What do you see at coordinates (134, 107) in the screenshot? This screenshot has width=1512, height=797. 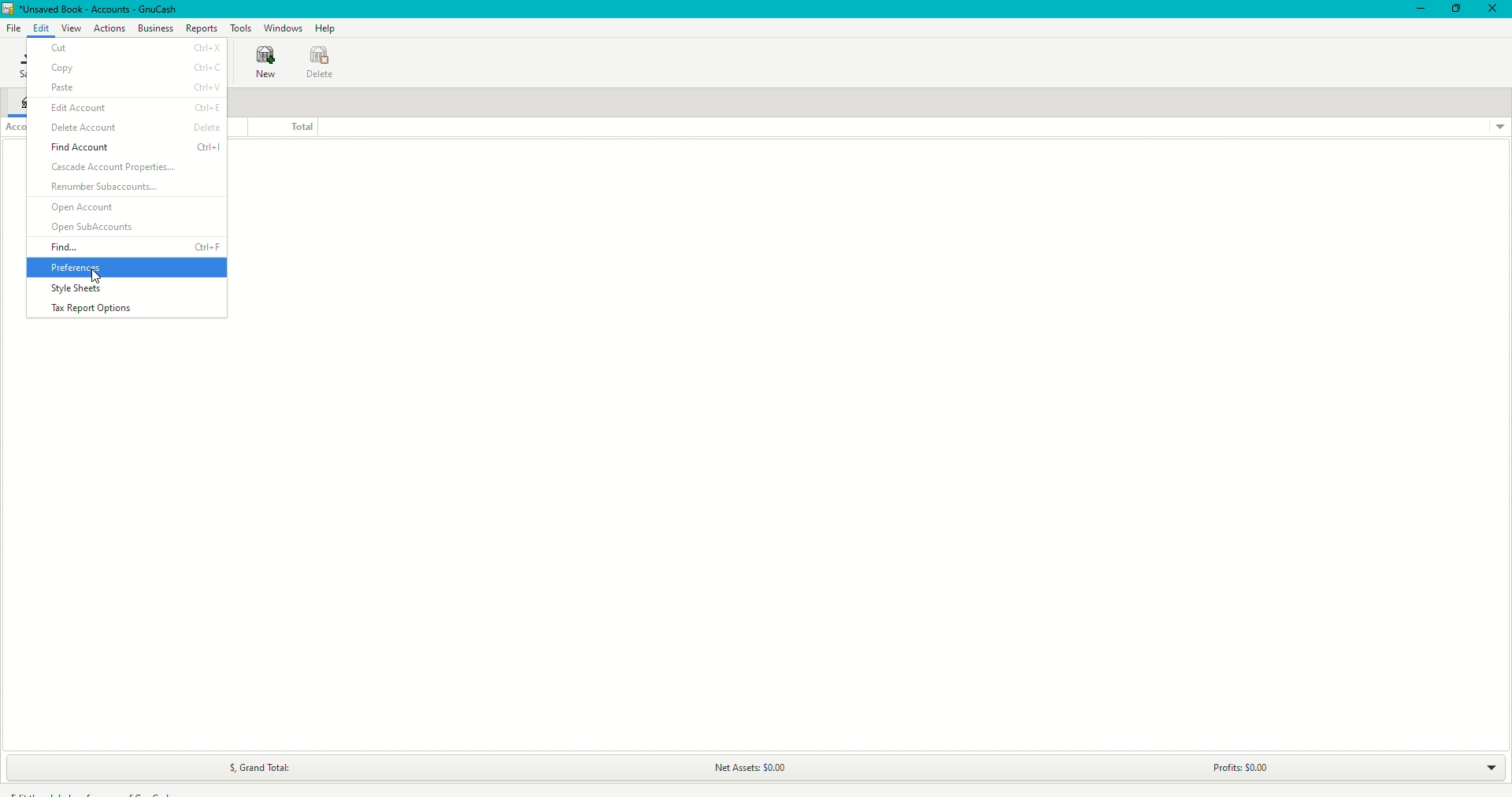 I see `Edit Account` at bounding box center [134, 107].